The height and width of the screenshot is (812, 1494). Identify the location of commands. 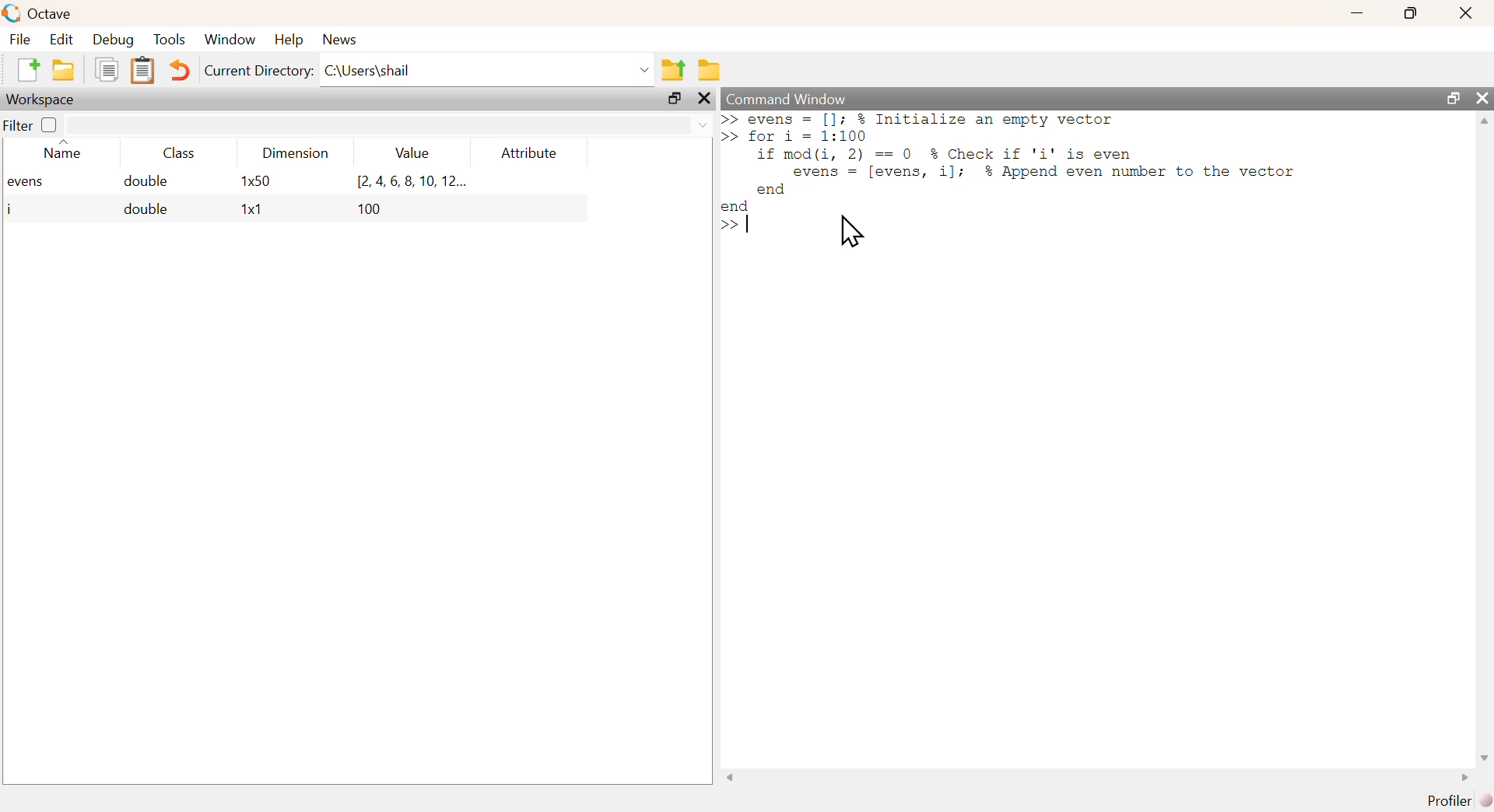
(1011, 208).